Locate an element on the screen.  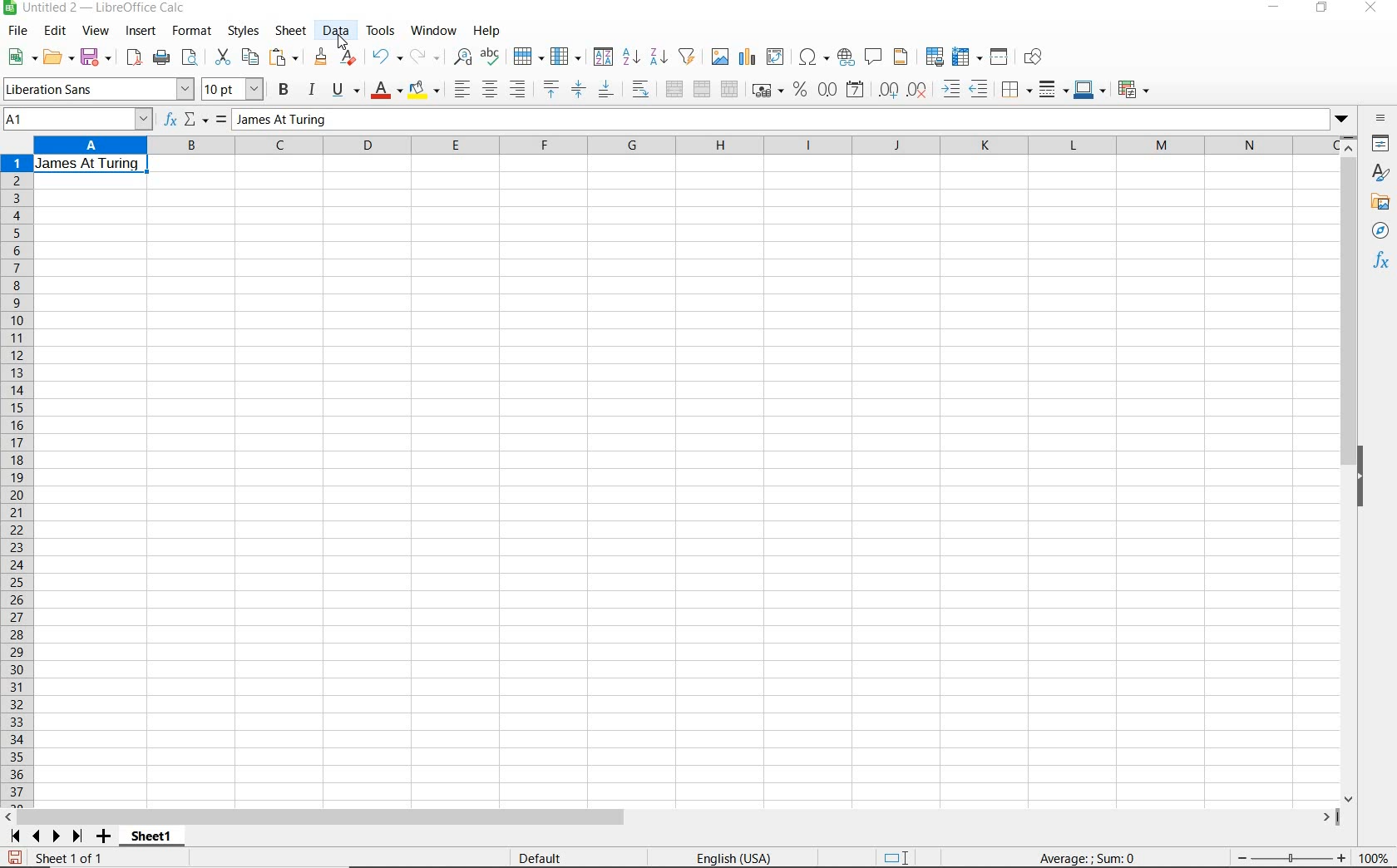
align bottom is located at coordinates (605, 89).